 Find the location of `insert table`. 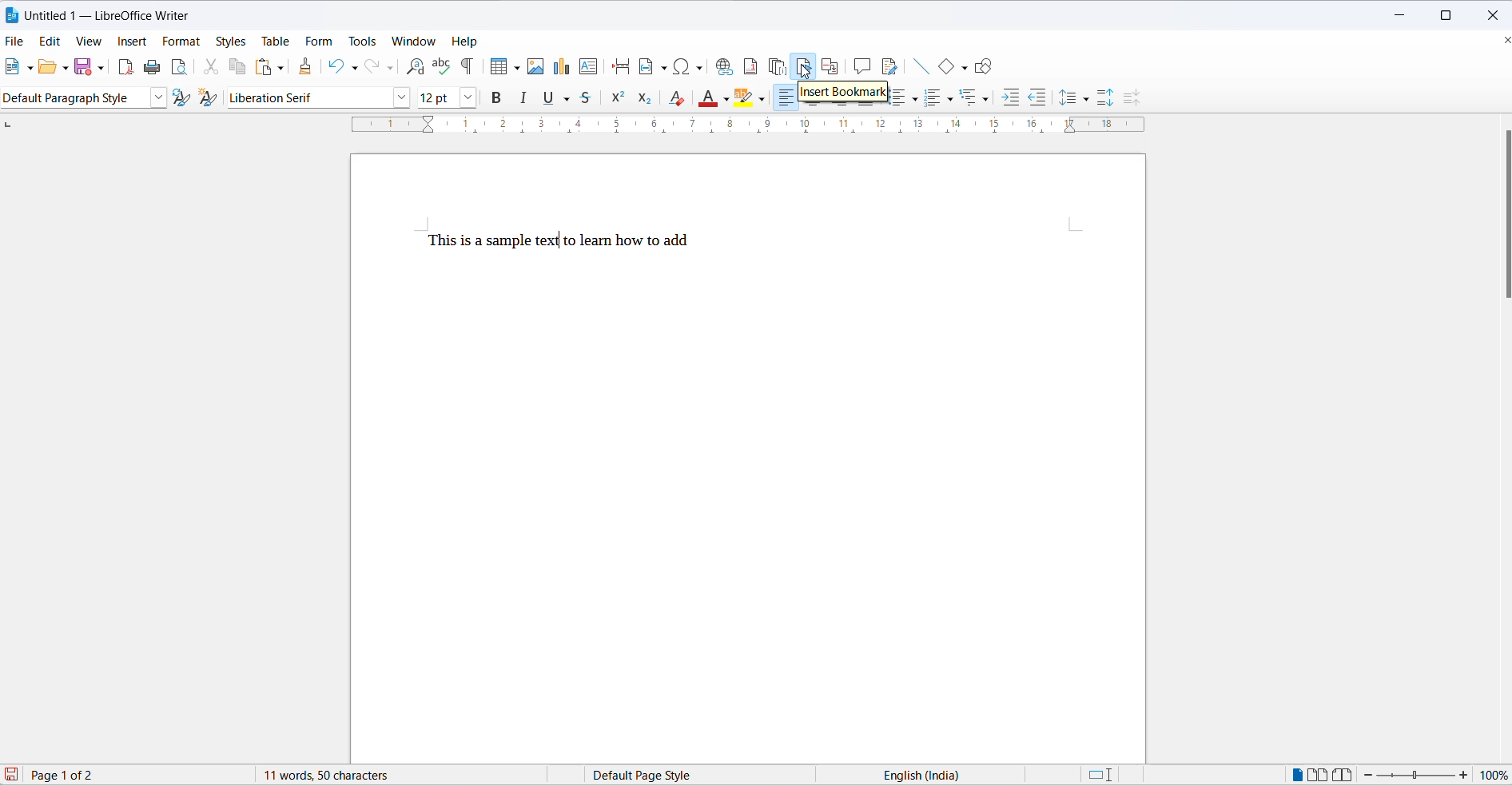

insert table is located at coordinates (495, 66).